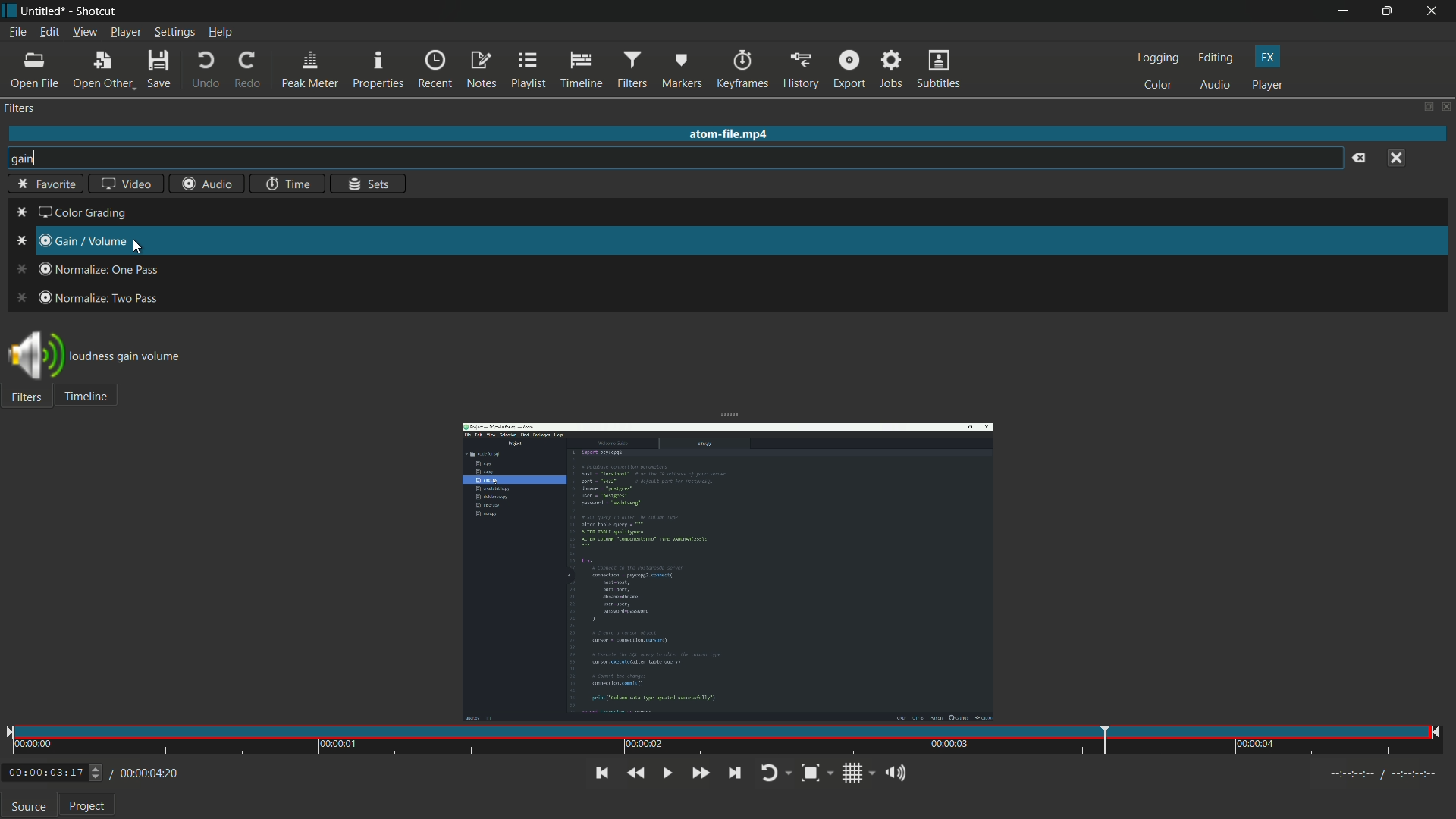  I want to click on help menu, so click(219, 32).